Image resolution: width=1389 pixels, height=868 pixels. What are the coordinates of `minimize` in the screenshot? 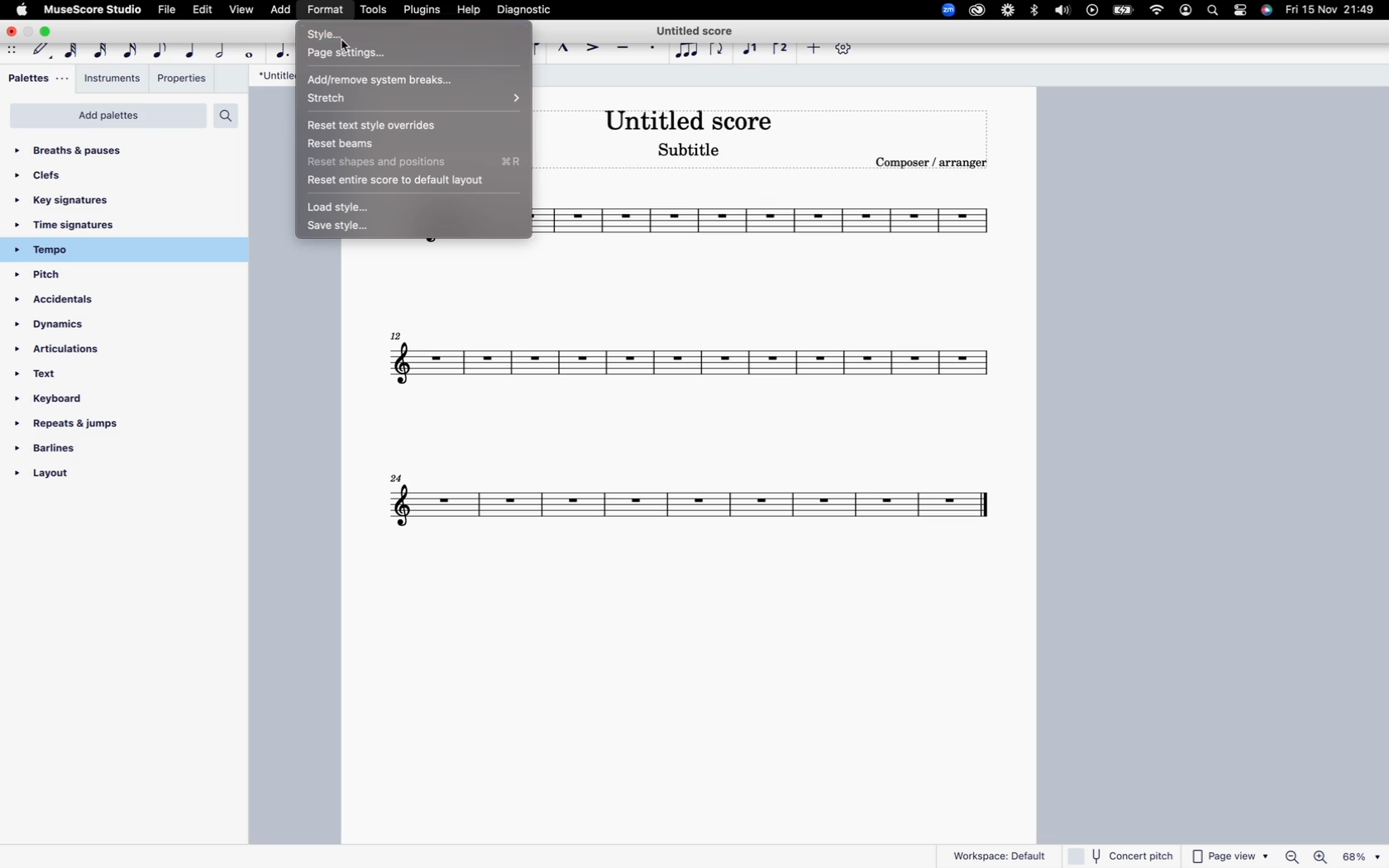 It's located at (29, 32).